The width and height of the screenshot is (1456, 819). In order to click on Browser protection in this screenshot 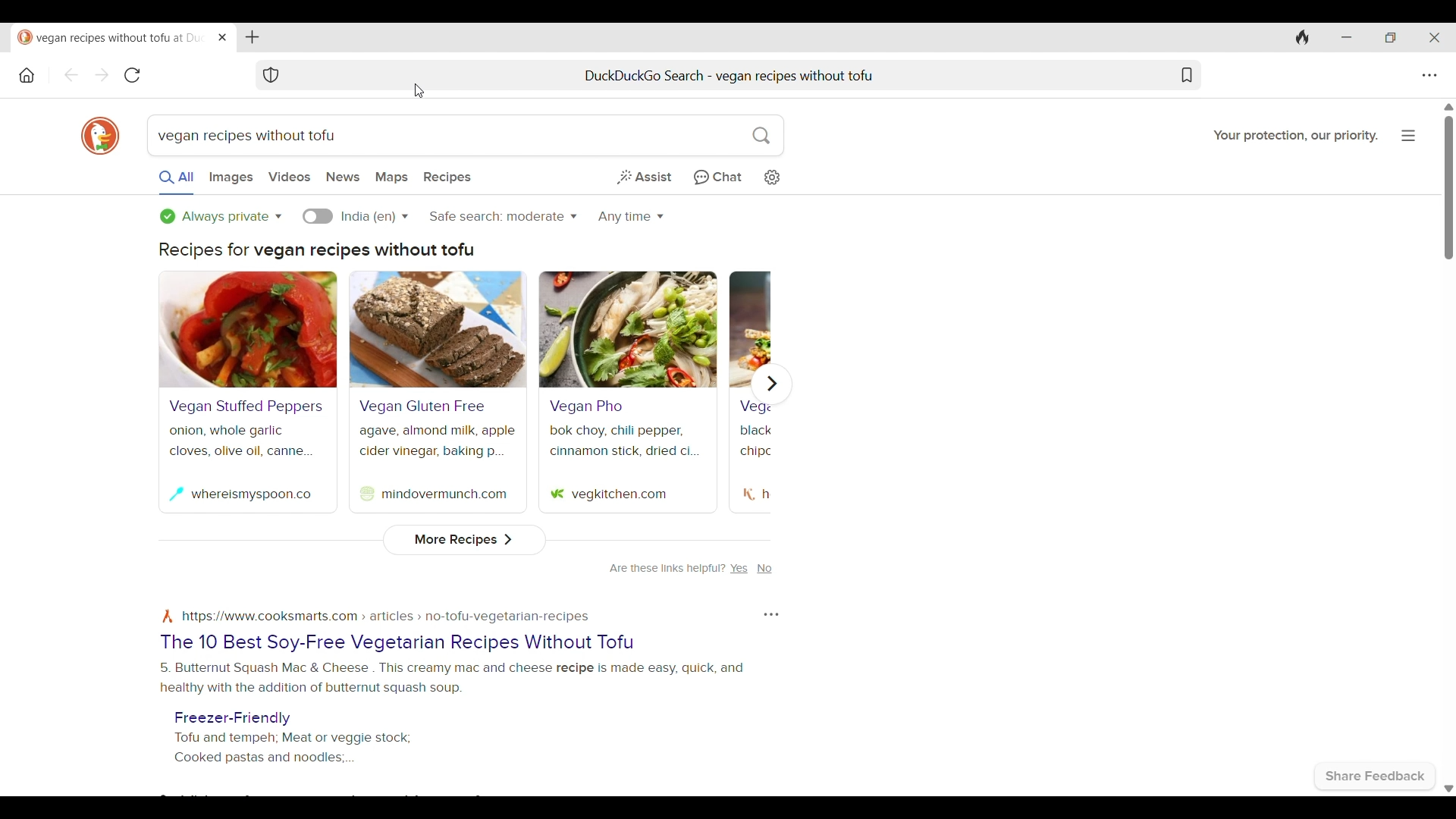, I will do `click(271, 75)`.